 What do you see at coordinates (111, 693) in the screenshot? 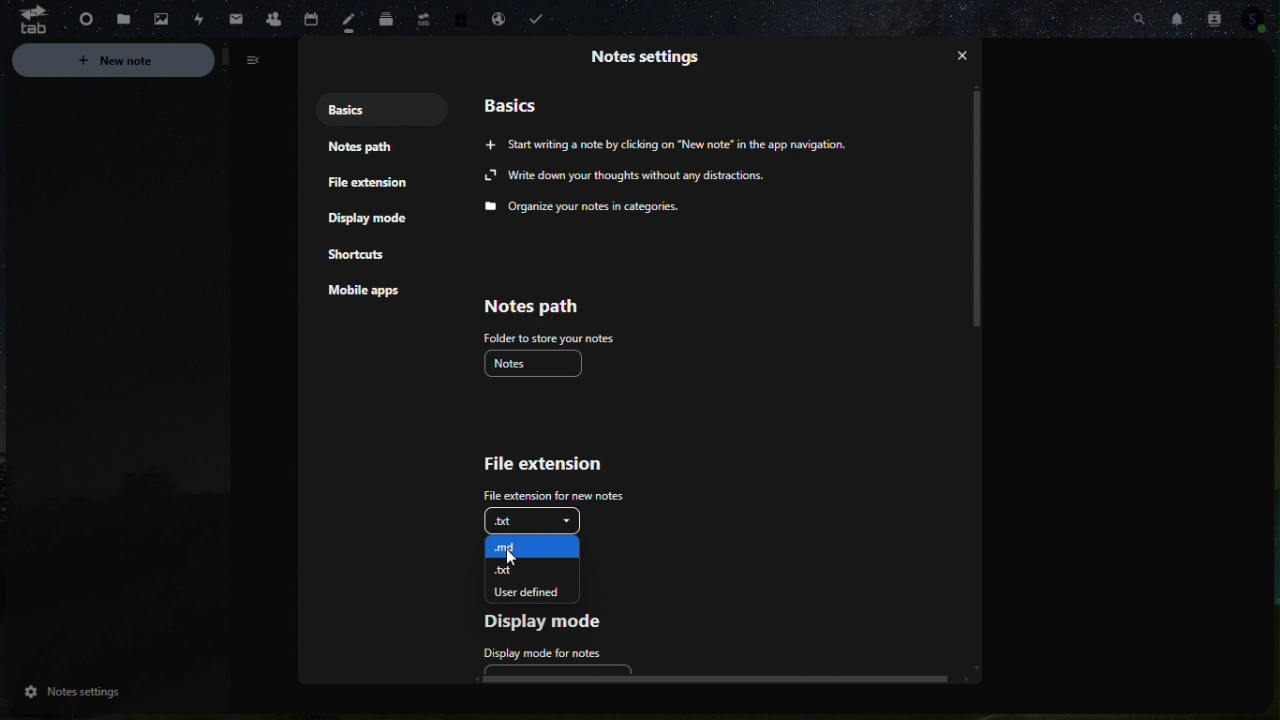
I see `notes settings` at bounding box center [111, 693].